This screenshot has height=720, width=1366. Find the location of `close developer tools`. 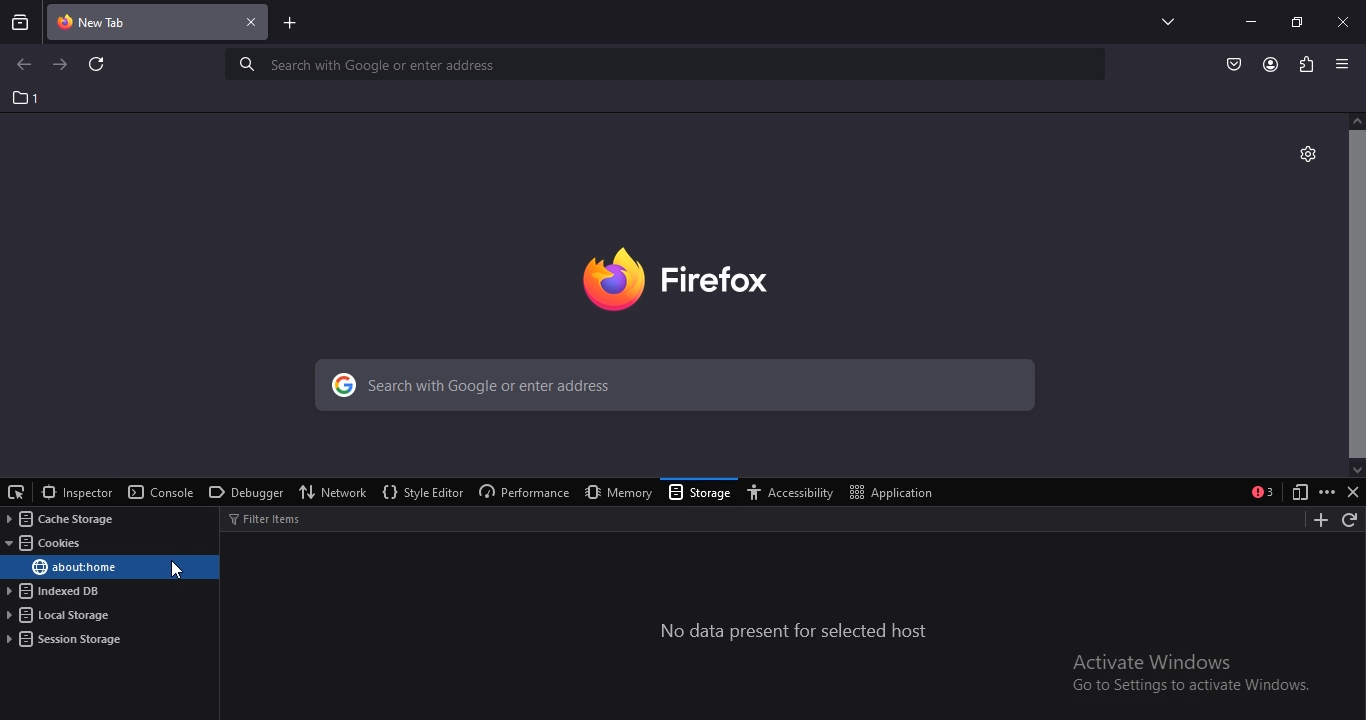

close developer tools is located at coordinates (1352, 491).